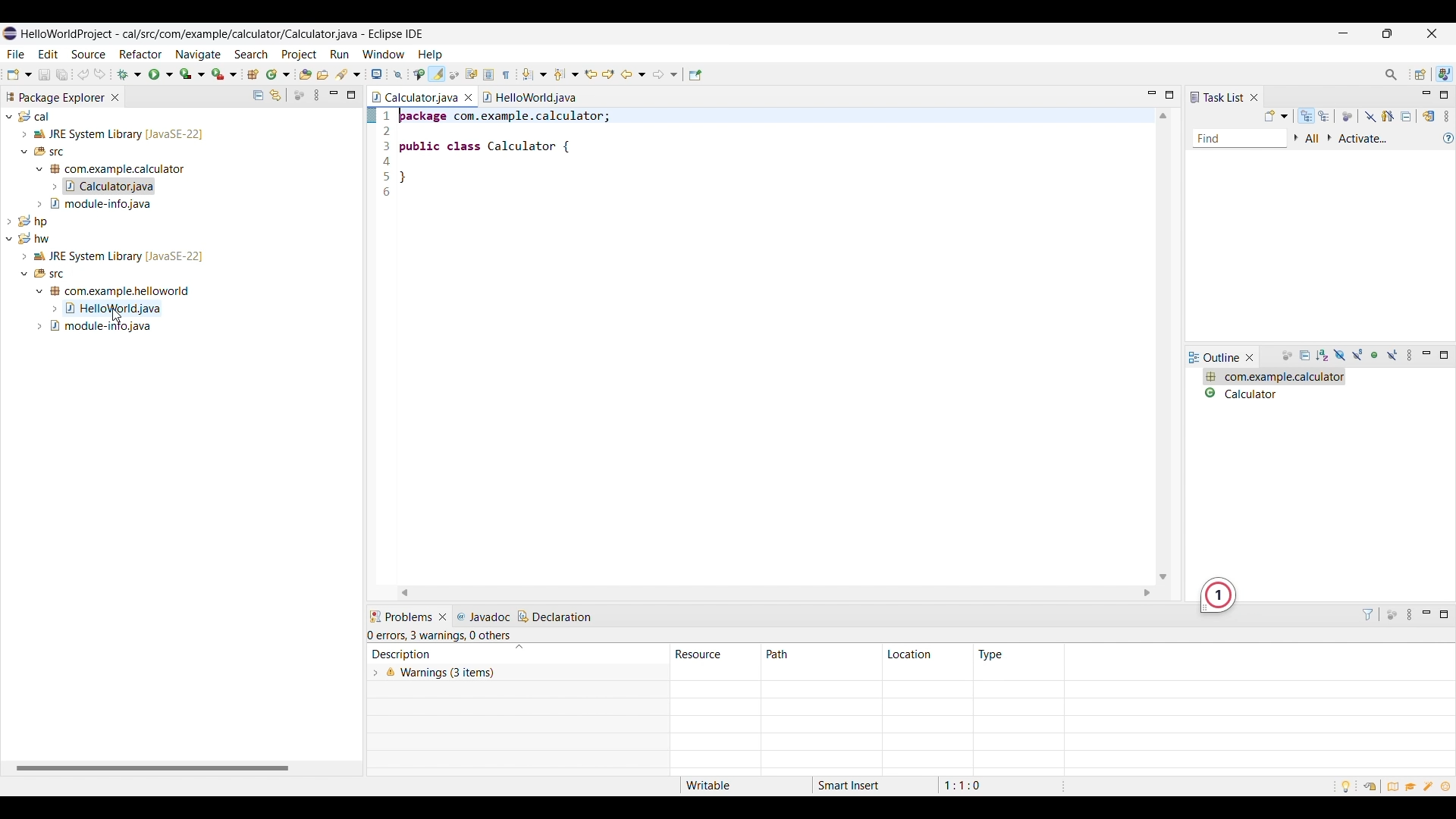 This screenshot has height=819, width=1456. What do you see at coordinates (278, 74) in the screenshot?
I see `New Java class options` at bounding box center [278, 74].